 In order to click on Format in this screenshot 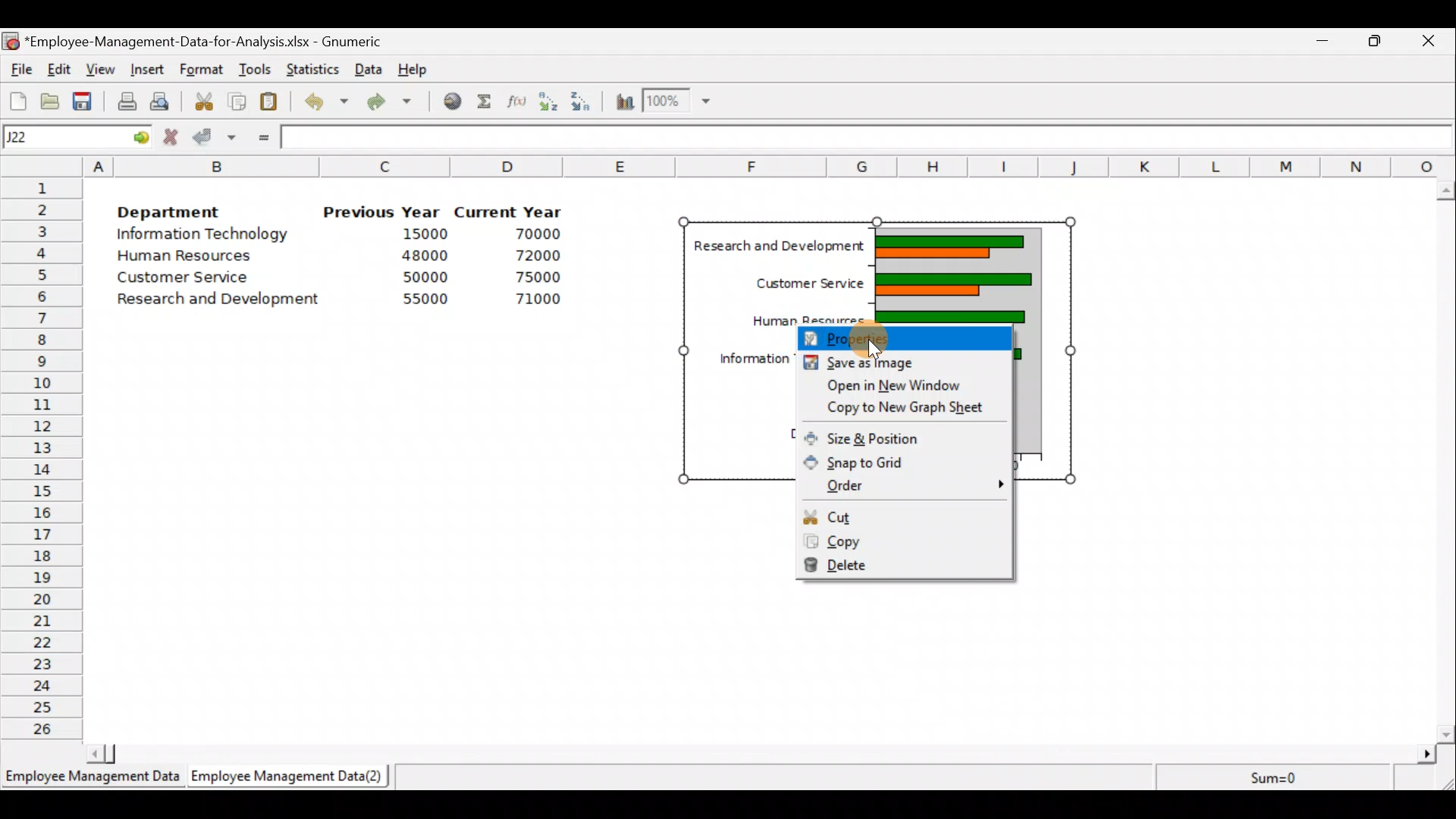, I will do `click(203, 67)`.